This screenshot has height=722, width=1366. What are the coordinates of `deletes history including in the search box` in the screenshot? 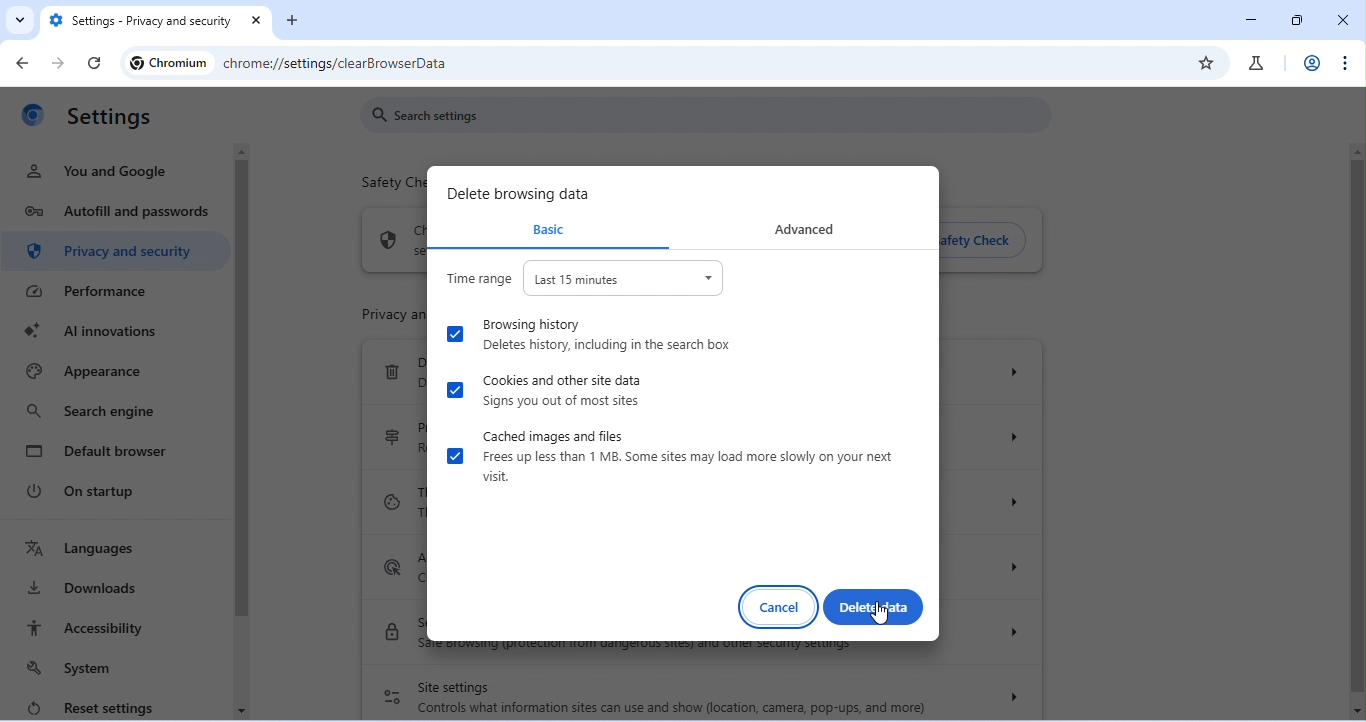 It's located at (615, 346).